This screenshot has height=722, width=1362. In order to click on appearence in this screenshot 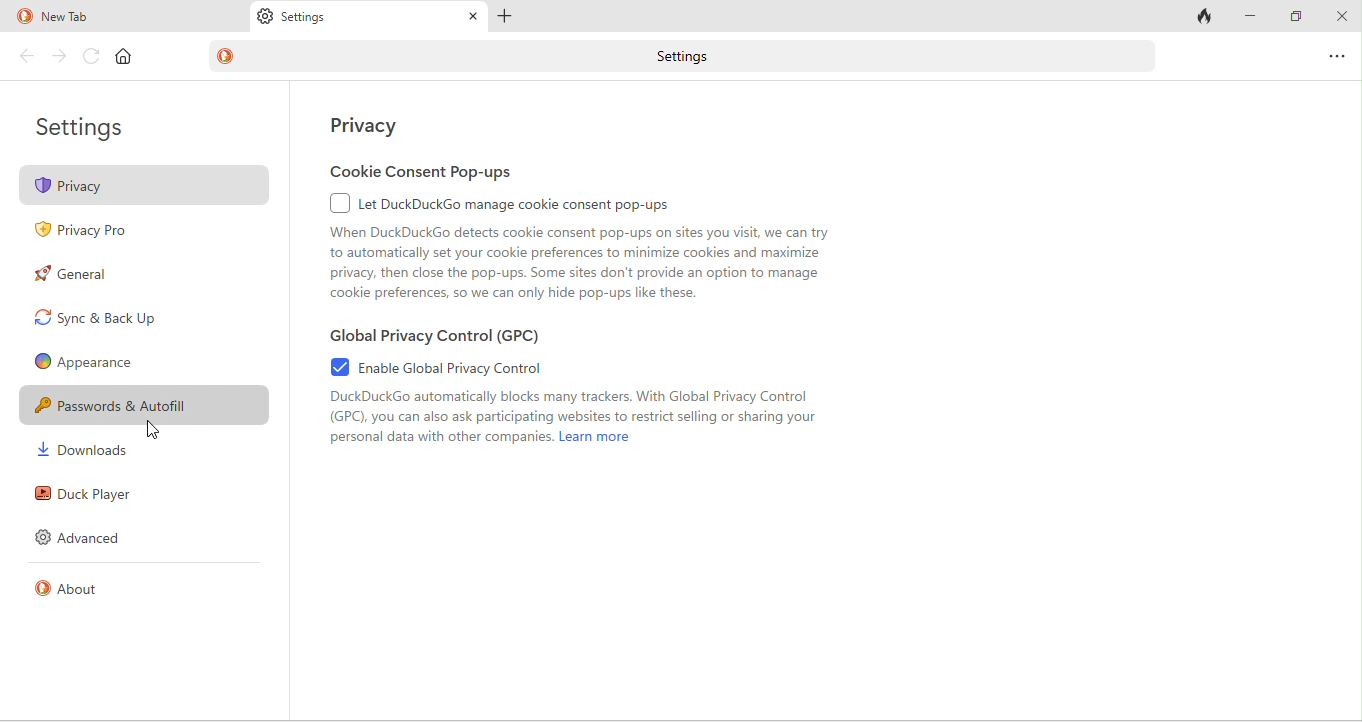, I will do `click(90, 360)`.